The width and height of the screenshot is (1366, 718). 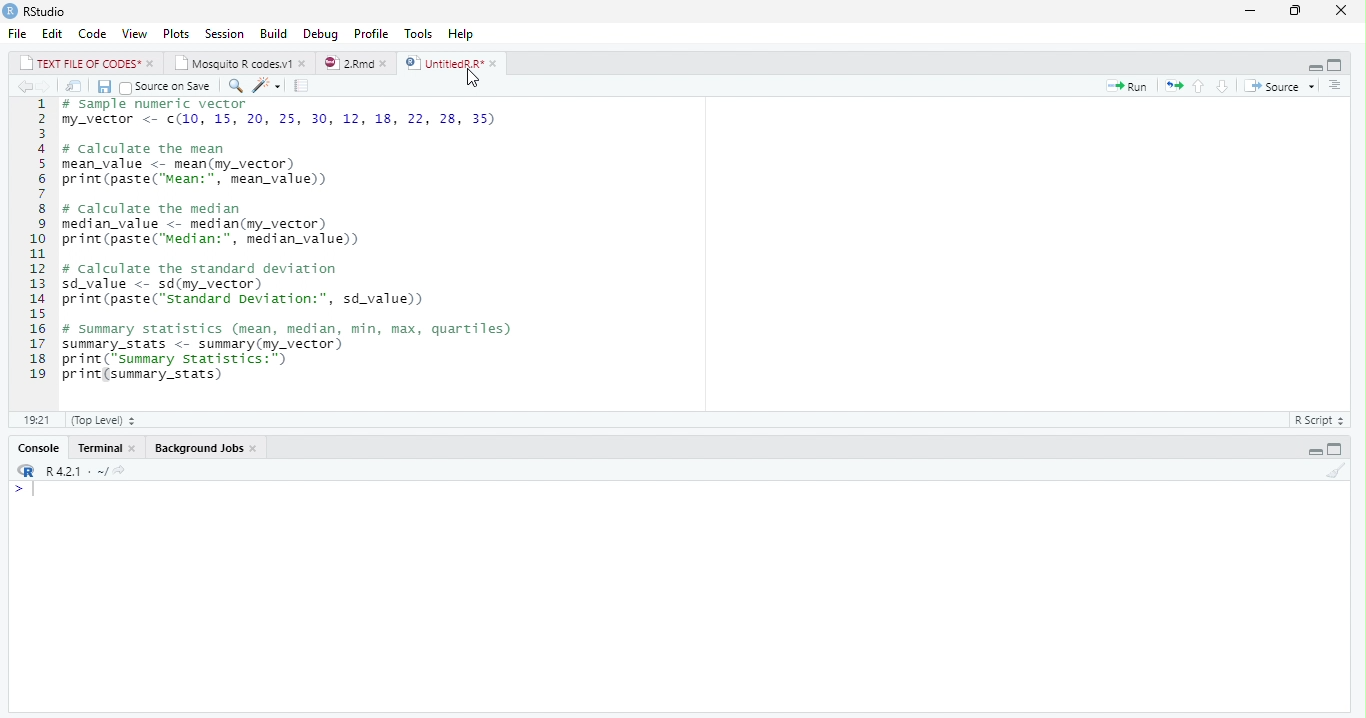 What do you see at coordinates (18, 33) in the screenshot?
I see `file` at bounding box center [18, 33].